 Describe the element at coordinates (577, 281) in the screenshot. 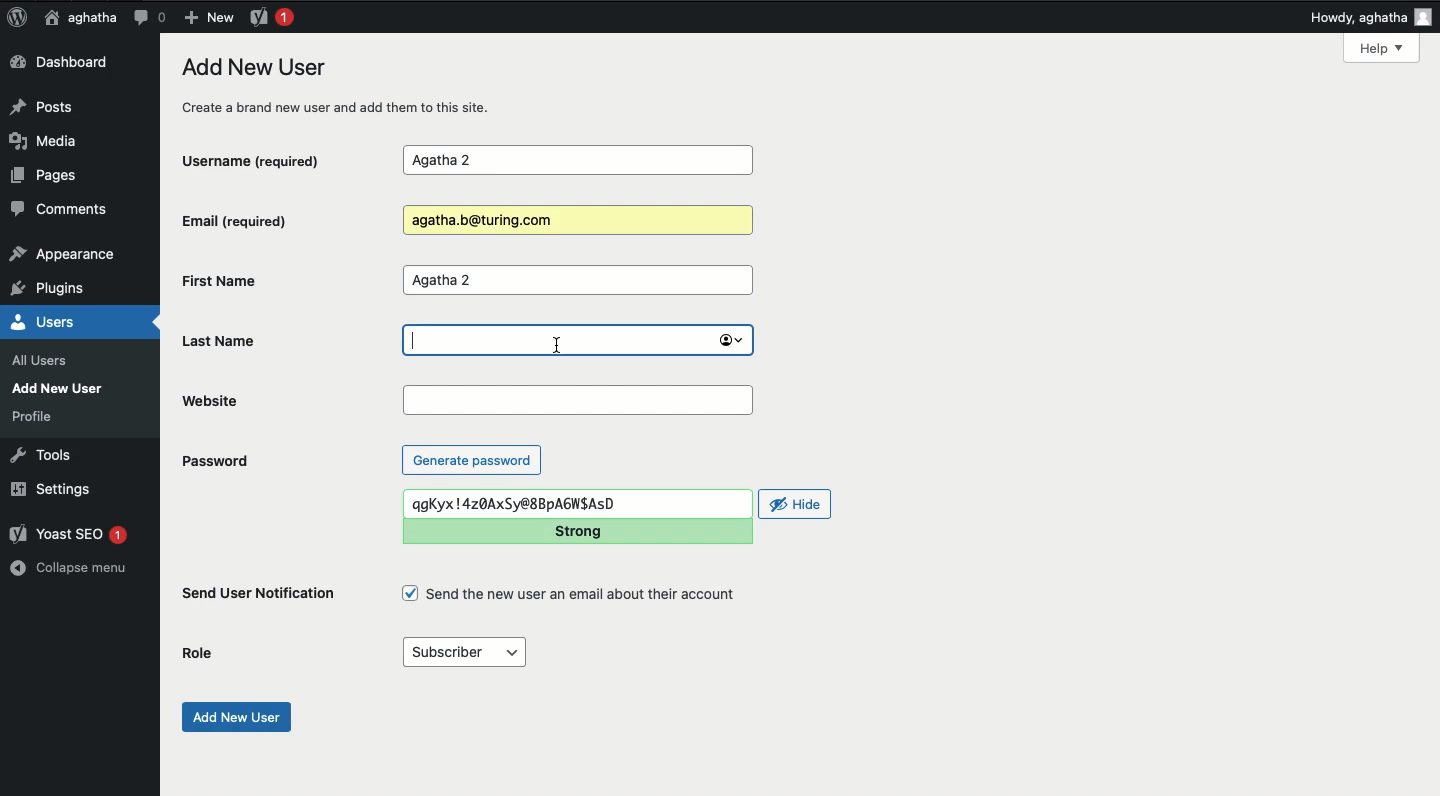

I see `Agatha 2` at that location.